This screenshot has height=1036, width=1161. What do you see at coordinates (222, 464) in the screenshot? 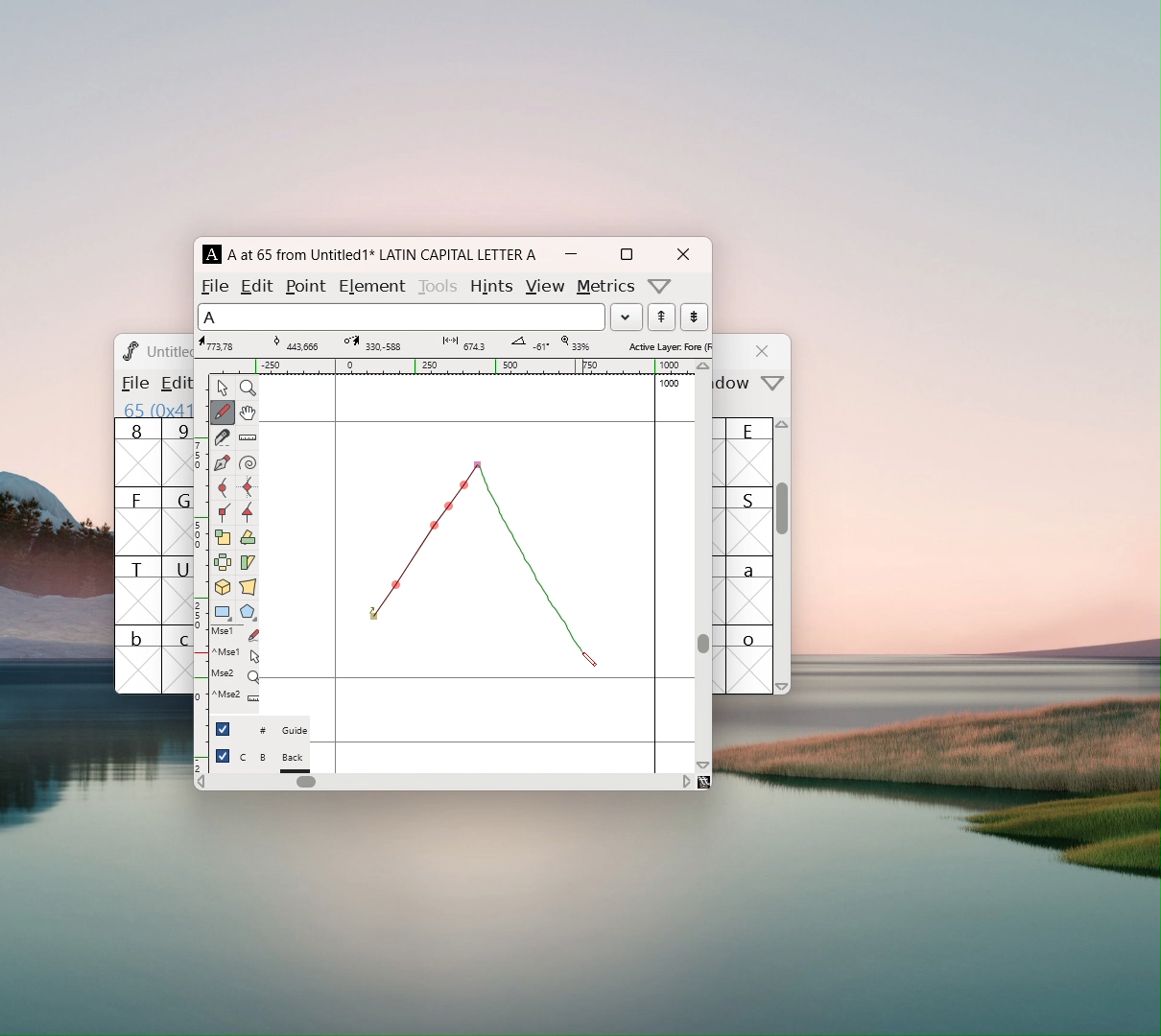
I see `add a point then drag out its conttrol points` at bounding box center [222, 464].